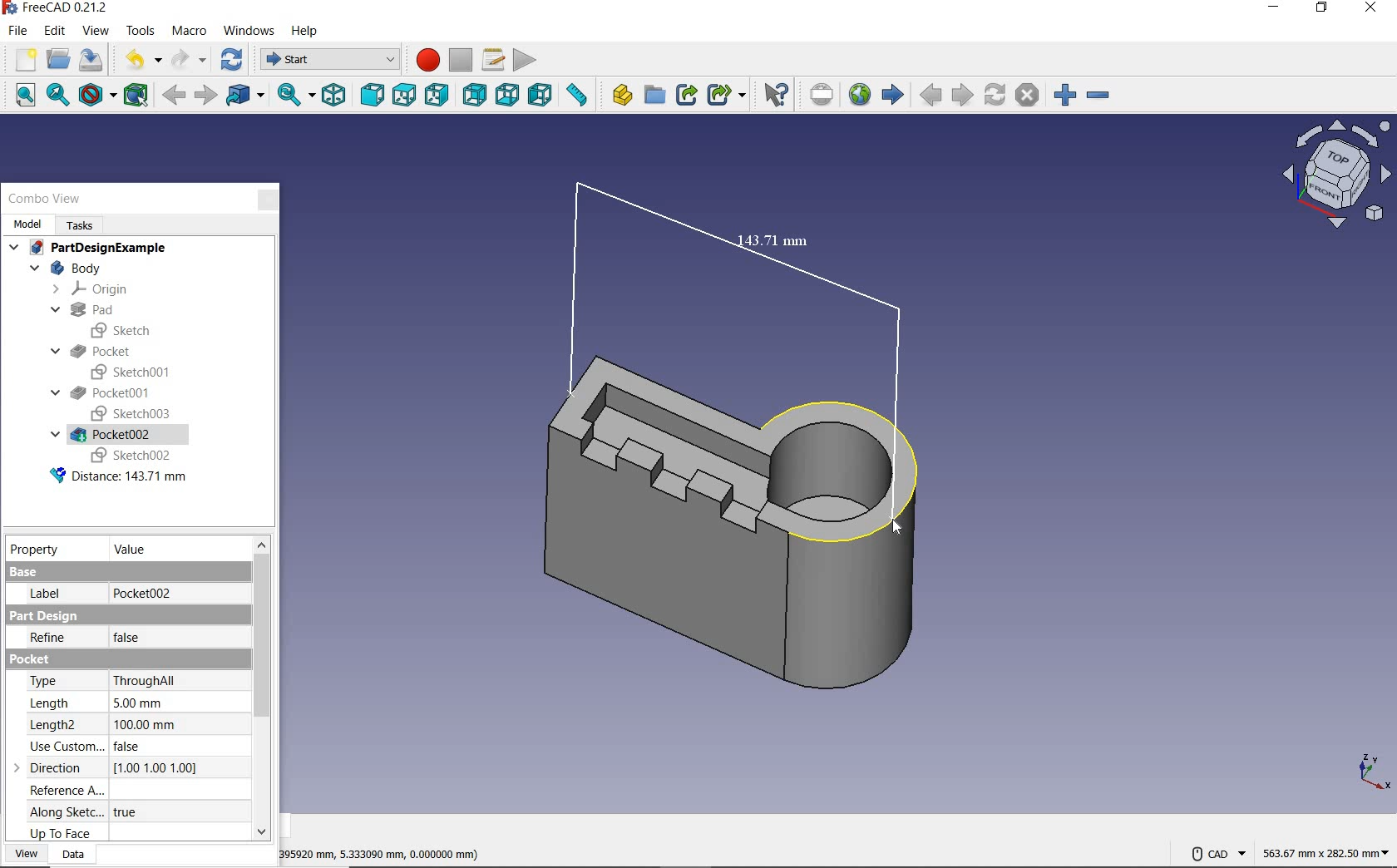 The image size is (1397, 868). I want to click on length, so click(51, 704).